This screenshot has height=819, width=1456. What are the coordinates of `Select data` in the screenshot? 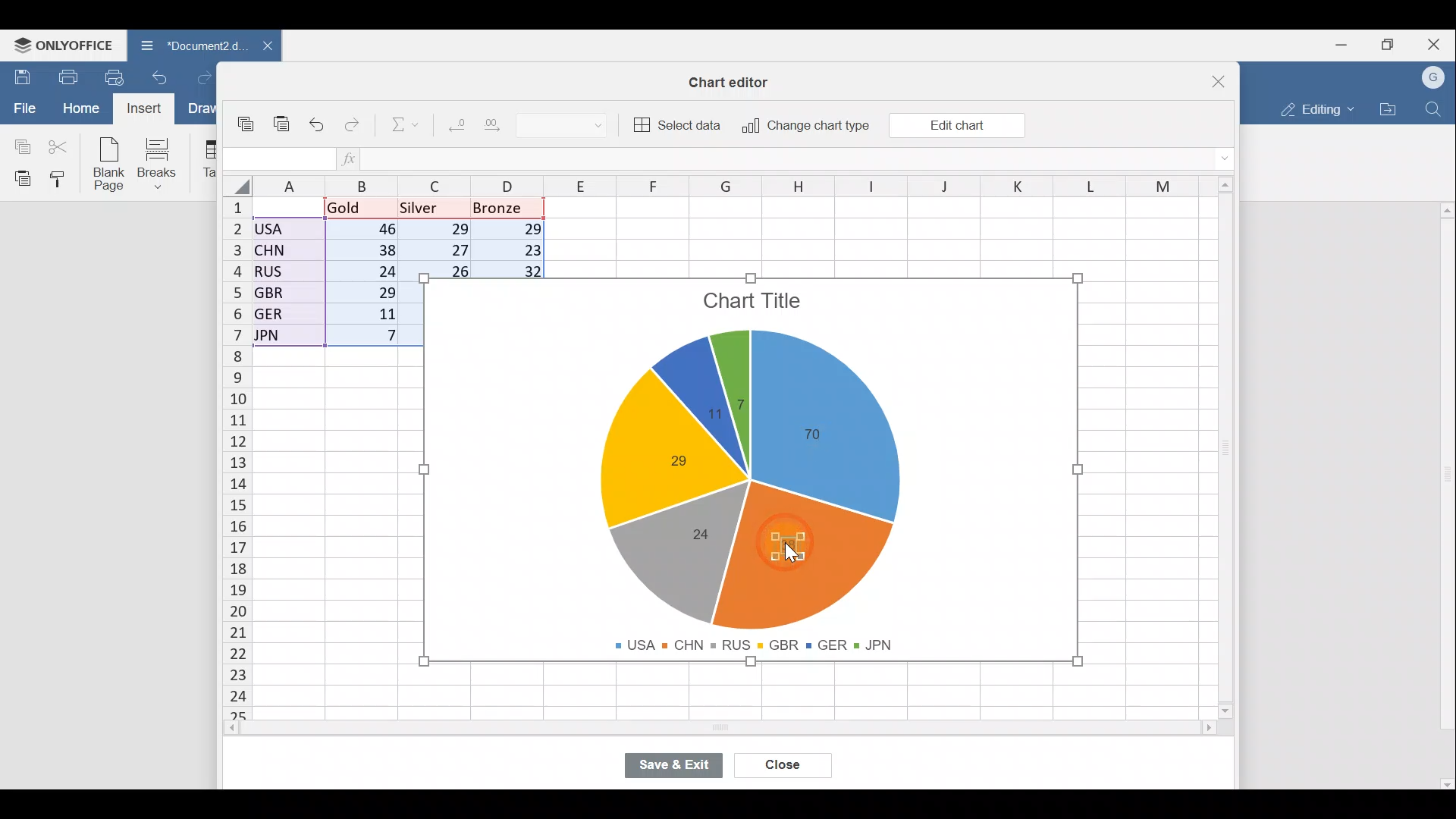 It's located at (676, 123).